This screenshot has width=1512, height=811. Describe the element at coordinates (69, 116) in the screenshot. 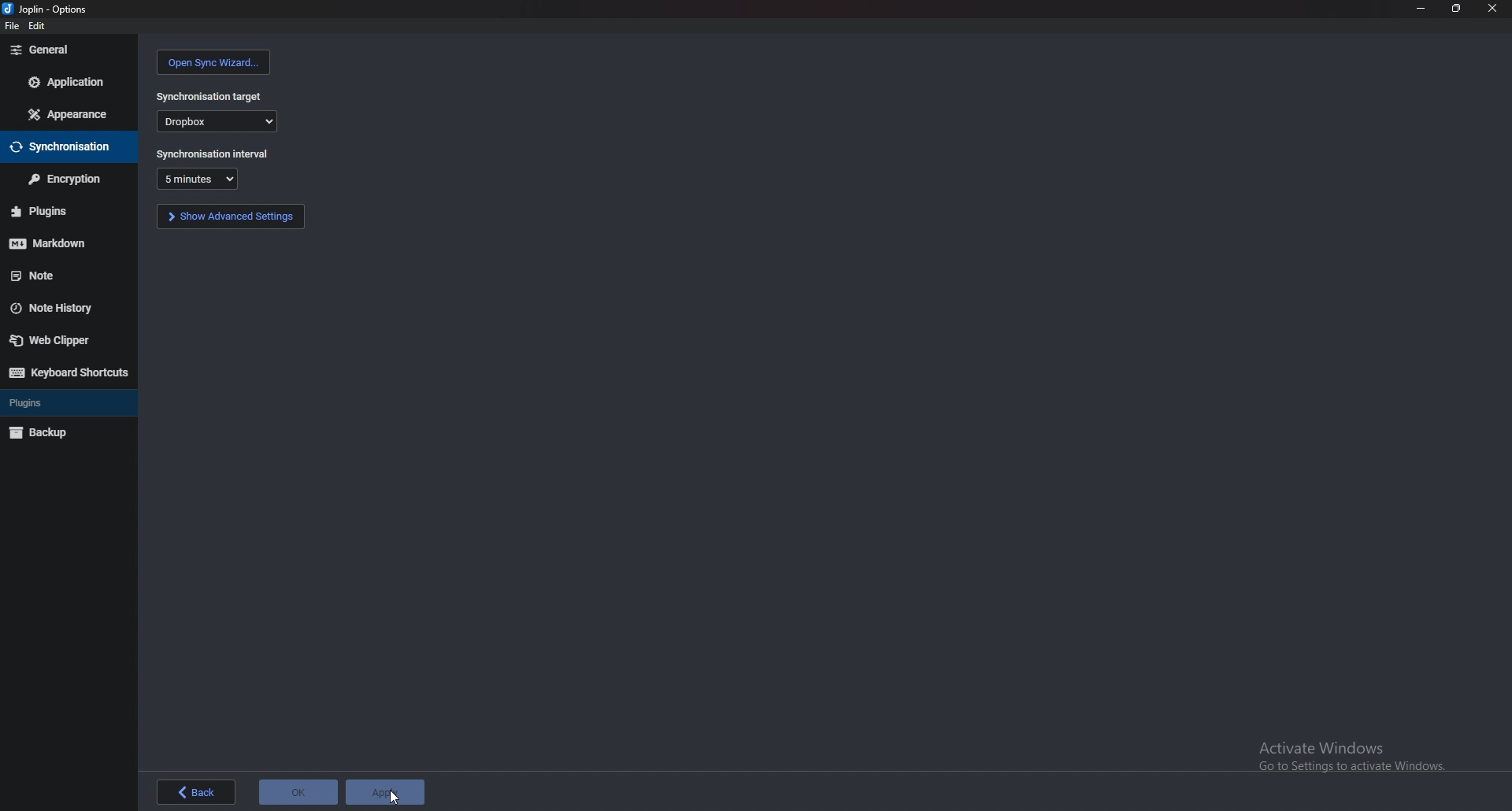

I see `appearance` at that location.